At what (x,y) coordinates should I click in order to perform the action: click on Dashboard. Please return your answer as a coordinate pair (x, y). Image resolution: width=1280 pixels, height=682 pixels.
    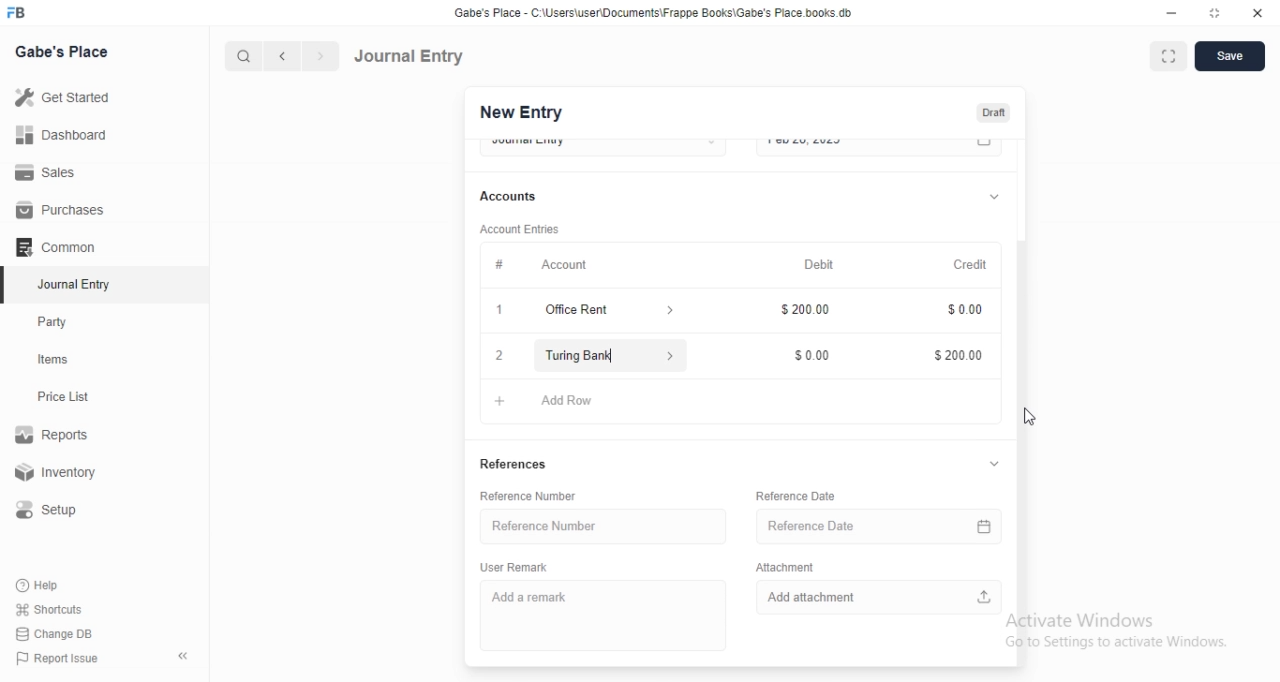
    Looking at the image, I should click on (59, 135).